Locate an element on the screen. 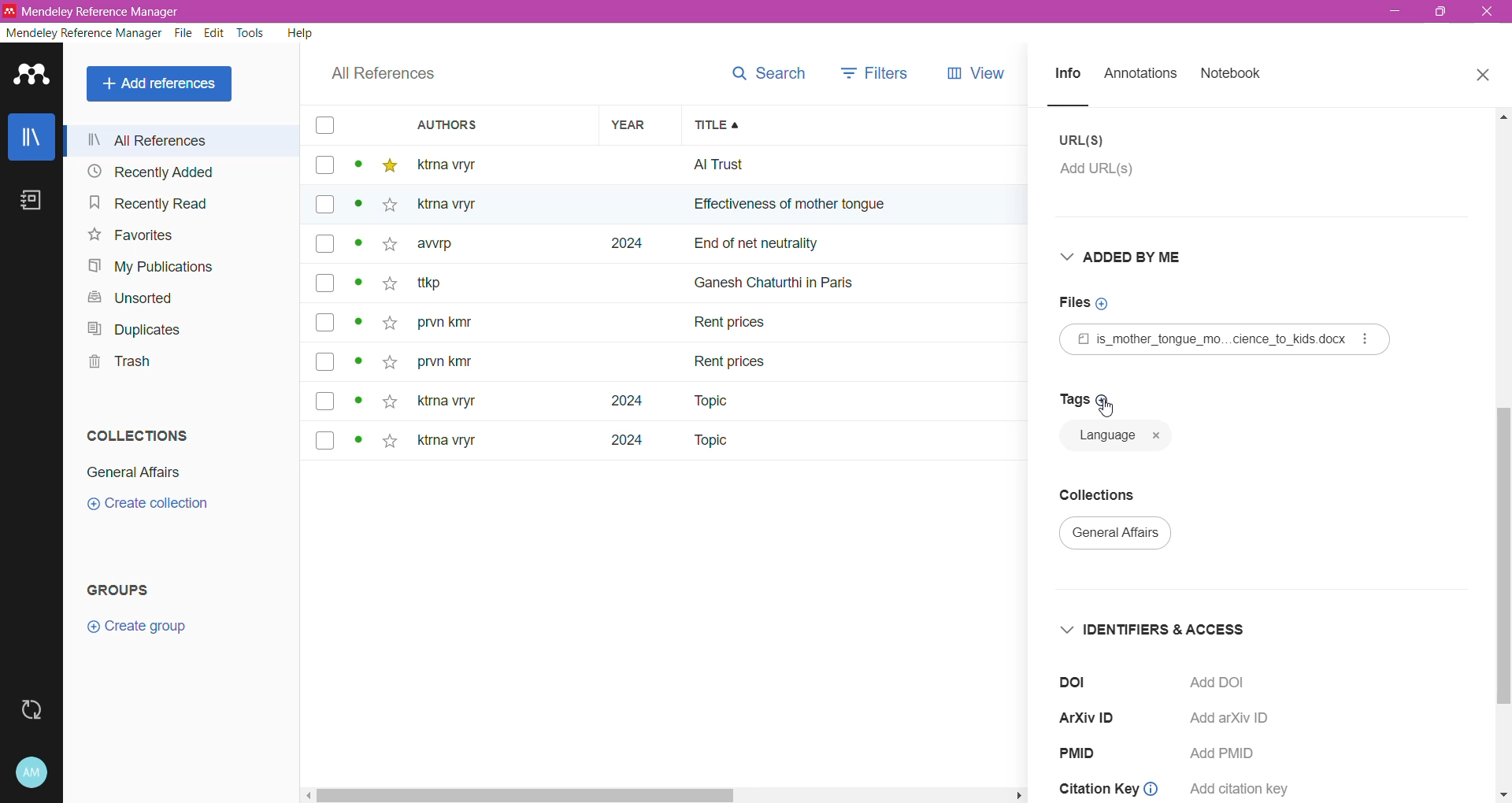 This screenshot has height=803, width=1512. views  is located at coordinates (987, 73).